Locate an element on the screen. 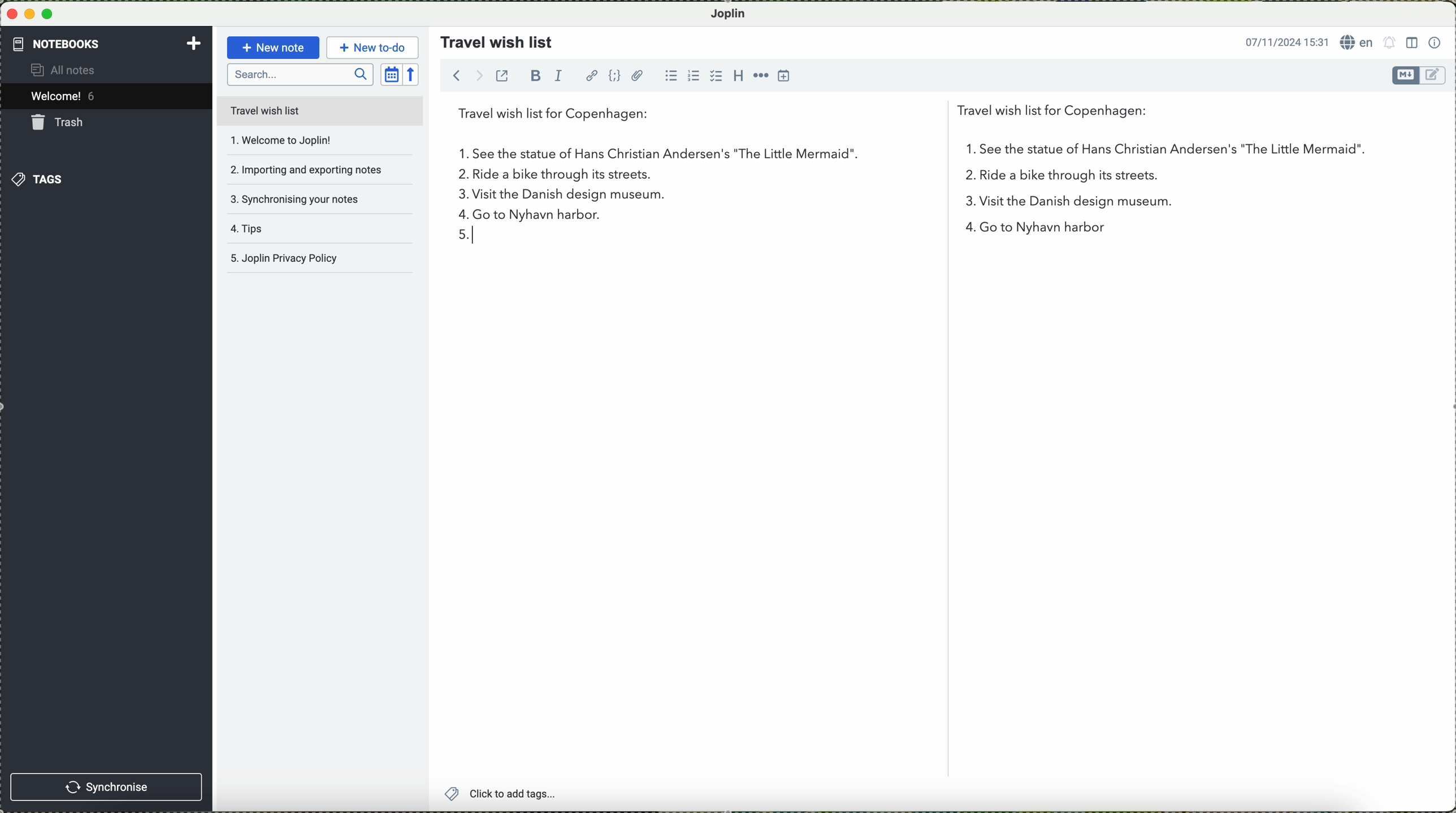  toggle external editing is located at coordinates (505, 80).